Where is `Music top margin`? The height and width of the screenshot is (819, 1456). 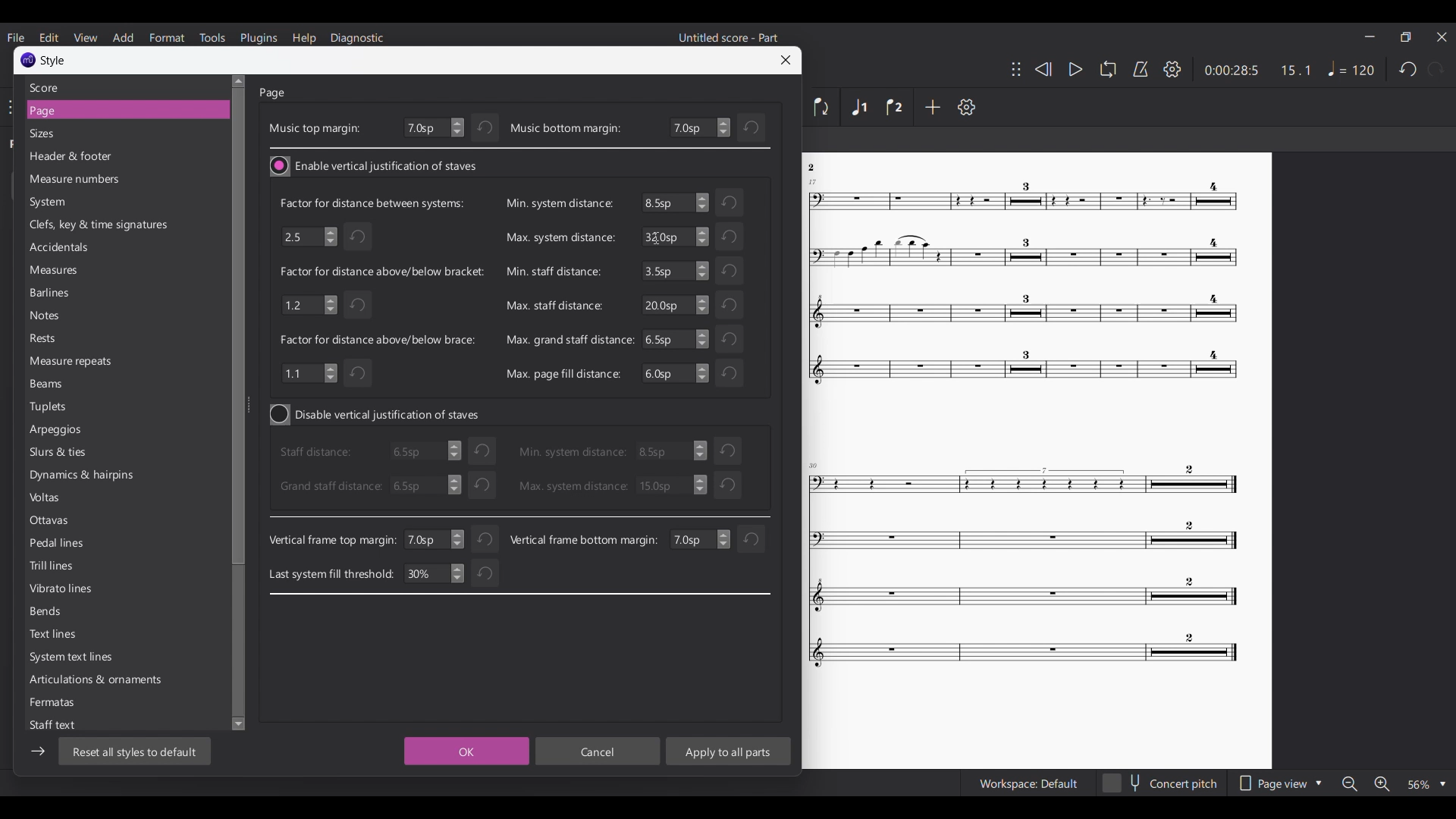 Music top margin is located at coordinates (314, 128).